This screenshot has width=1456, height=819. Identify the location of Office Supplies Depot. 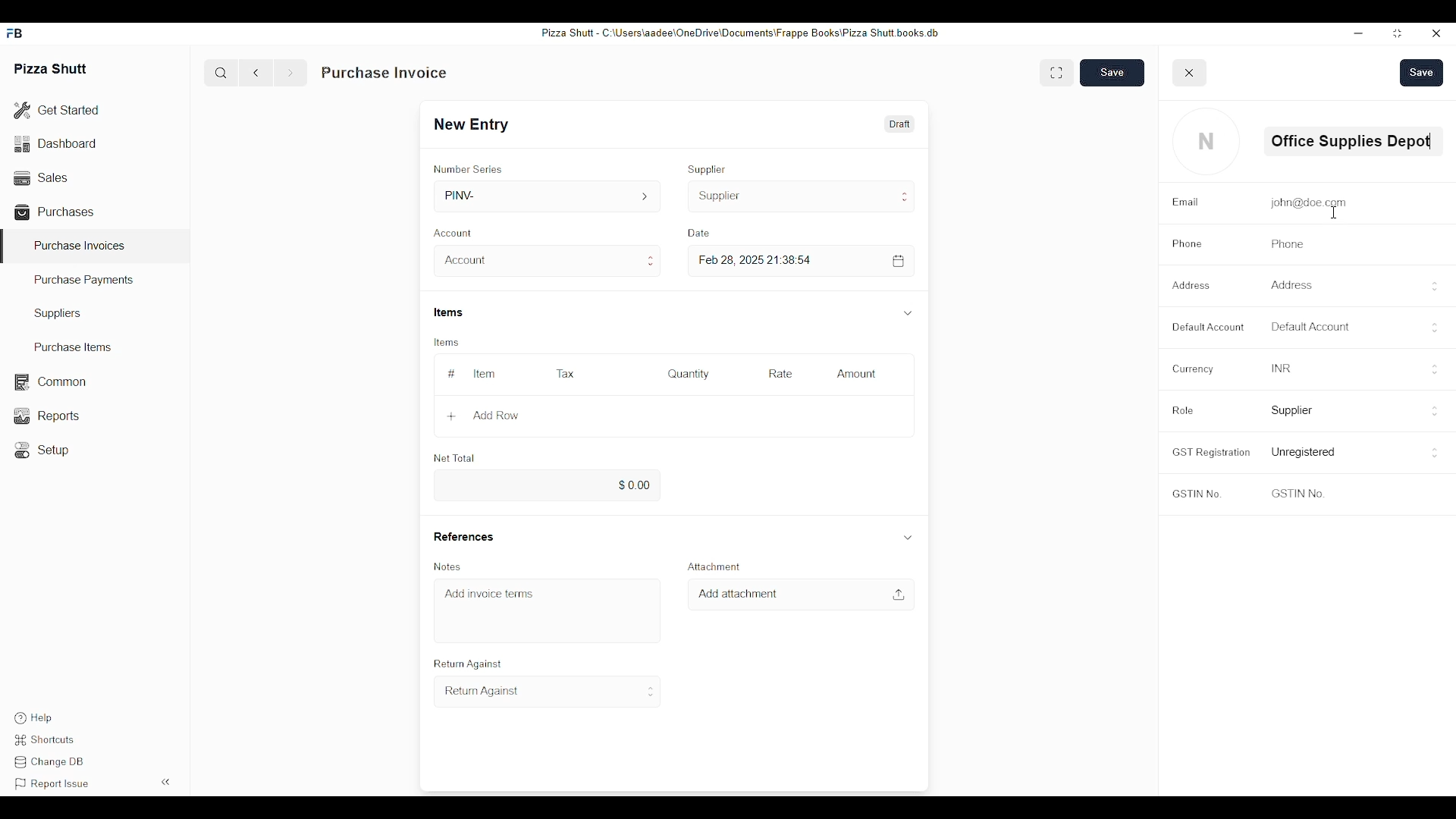
(1350, 140).